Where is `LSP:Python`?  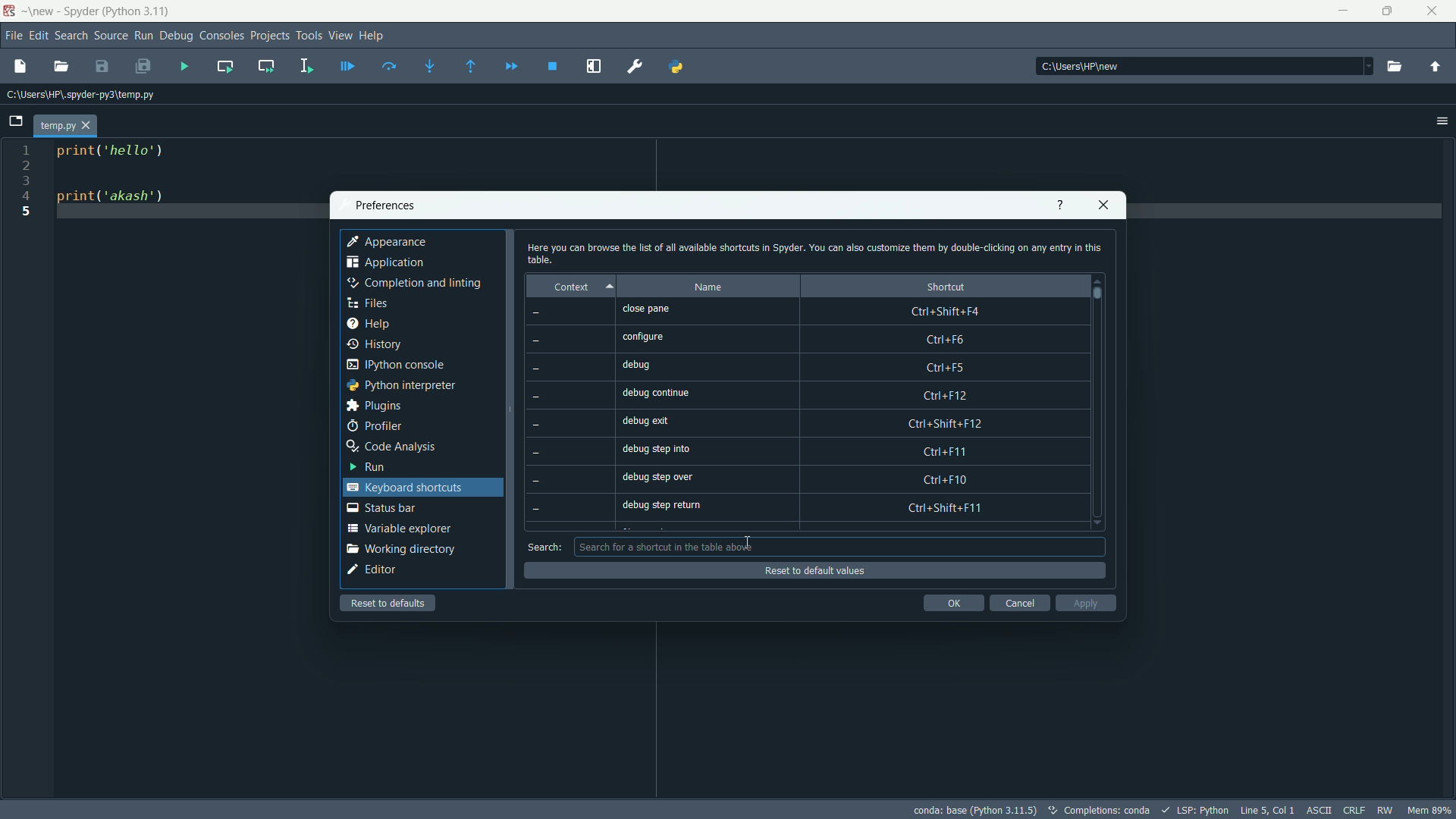
LSP:Python is located at coordinates (1194, 808).